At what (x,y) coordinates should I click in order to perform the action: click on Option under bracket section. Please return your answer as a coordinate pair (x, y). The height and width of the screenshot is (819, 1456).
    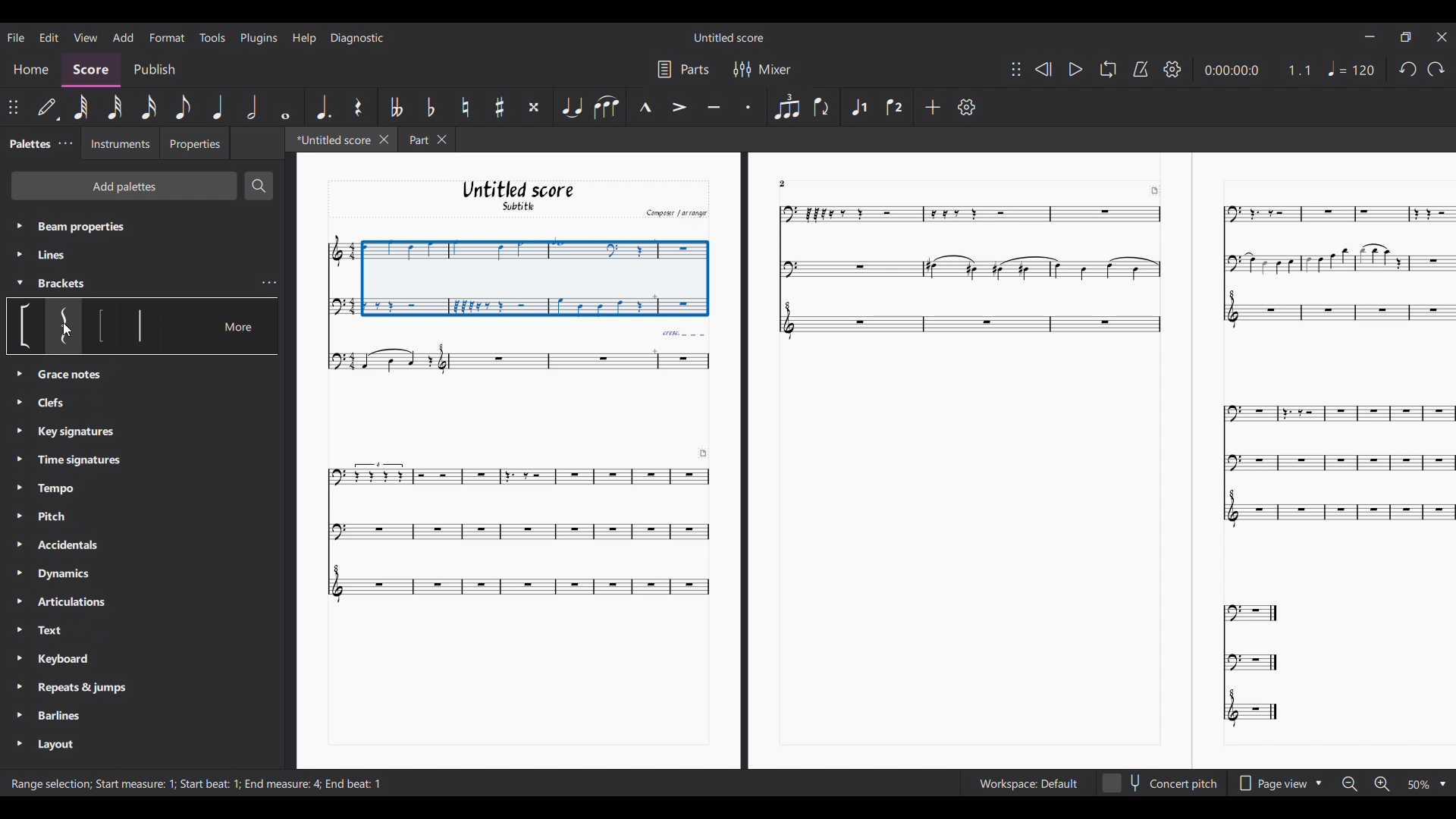
    Looking at the image, I should click on (102, 326).